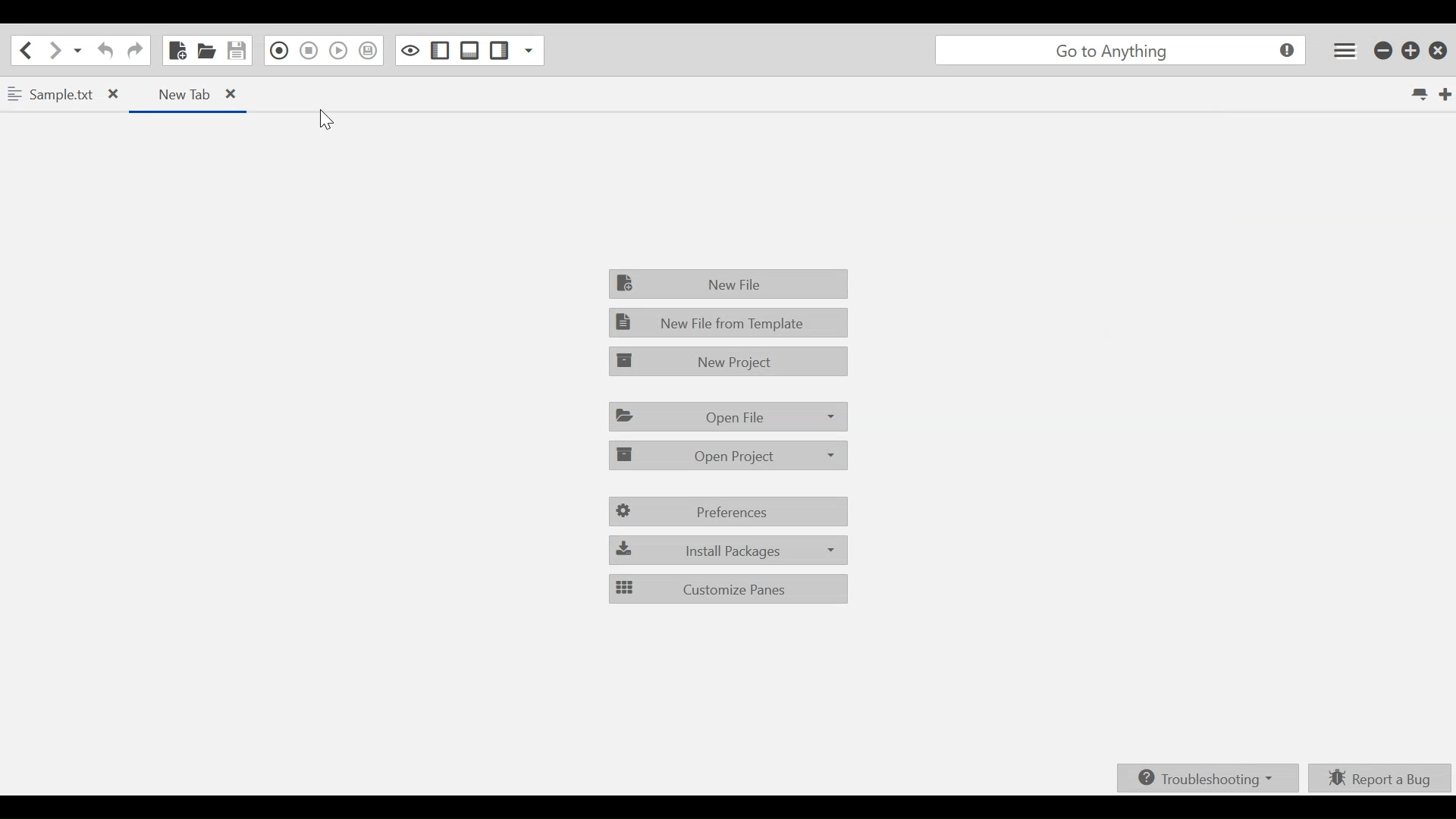 The height and width of the screenshot is (819, 1456). Describe the element at coordinates (277, 52) in the screenshot. I see `Recording in Macro` at that location.